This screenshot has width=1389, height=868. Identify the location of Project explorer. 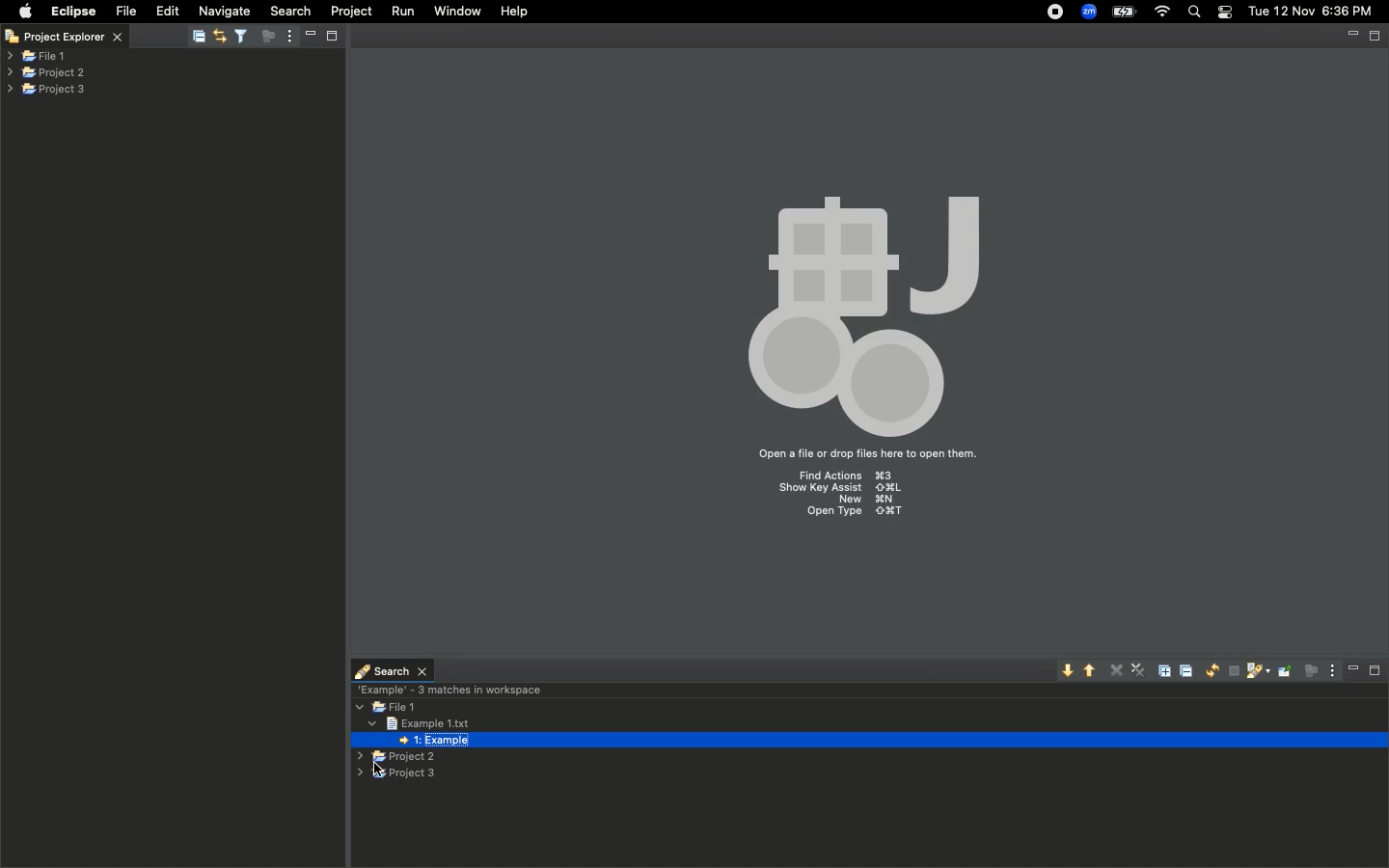
(77, 36).